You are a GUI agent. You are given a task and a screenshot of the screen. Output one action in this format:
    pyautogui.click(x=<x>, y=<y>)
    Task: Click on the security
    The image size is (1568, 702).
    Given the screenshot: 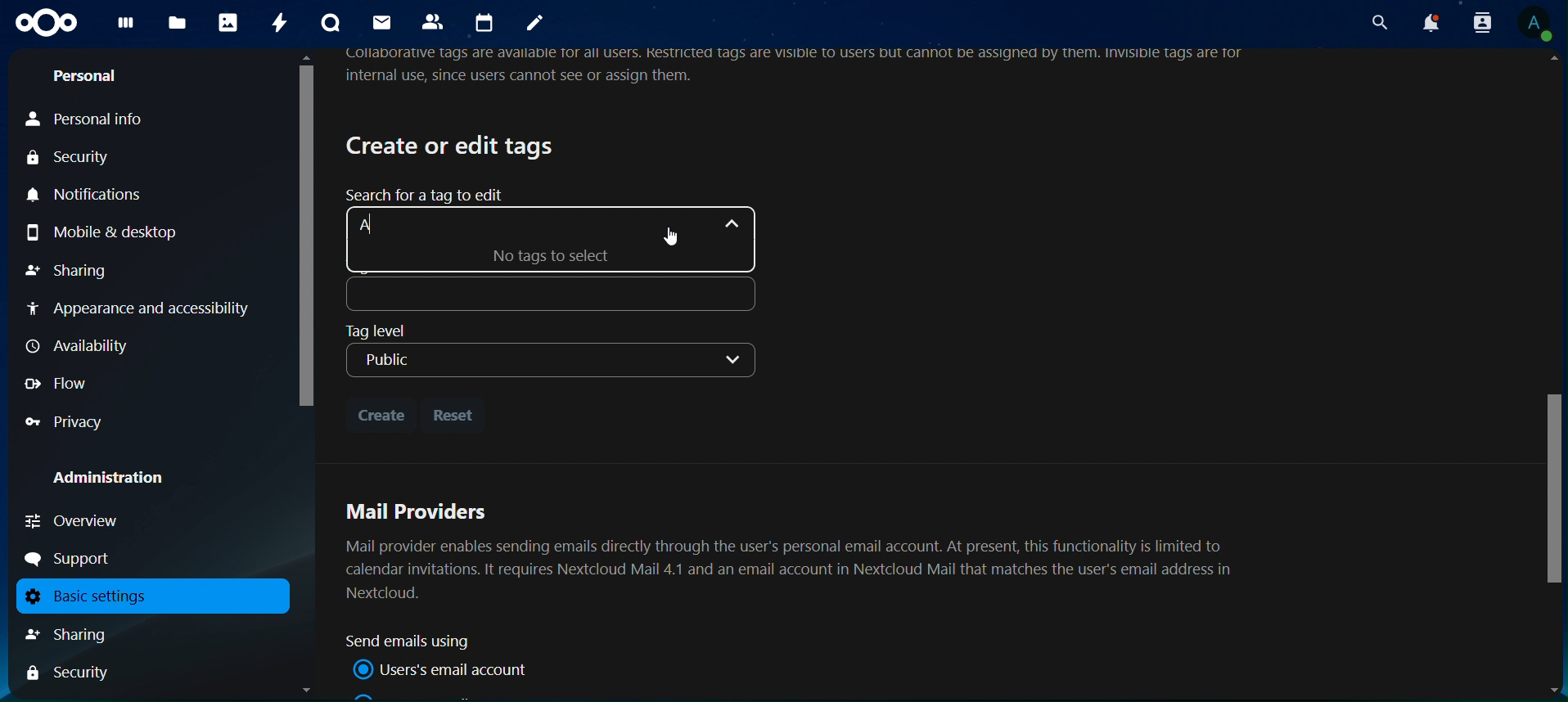 What is the action you would take?
    pyautogui.click(x=78, y=160)
    